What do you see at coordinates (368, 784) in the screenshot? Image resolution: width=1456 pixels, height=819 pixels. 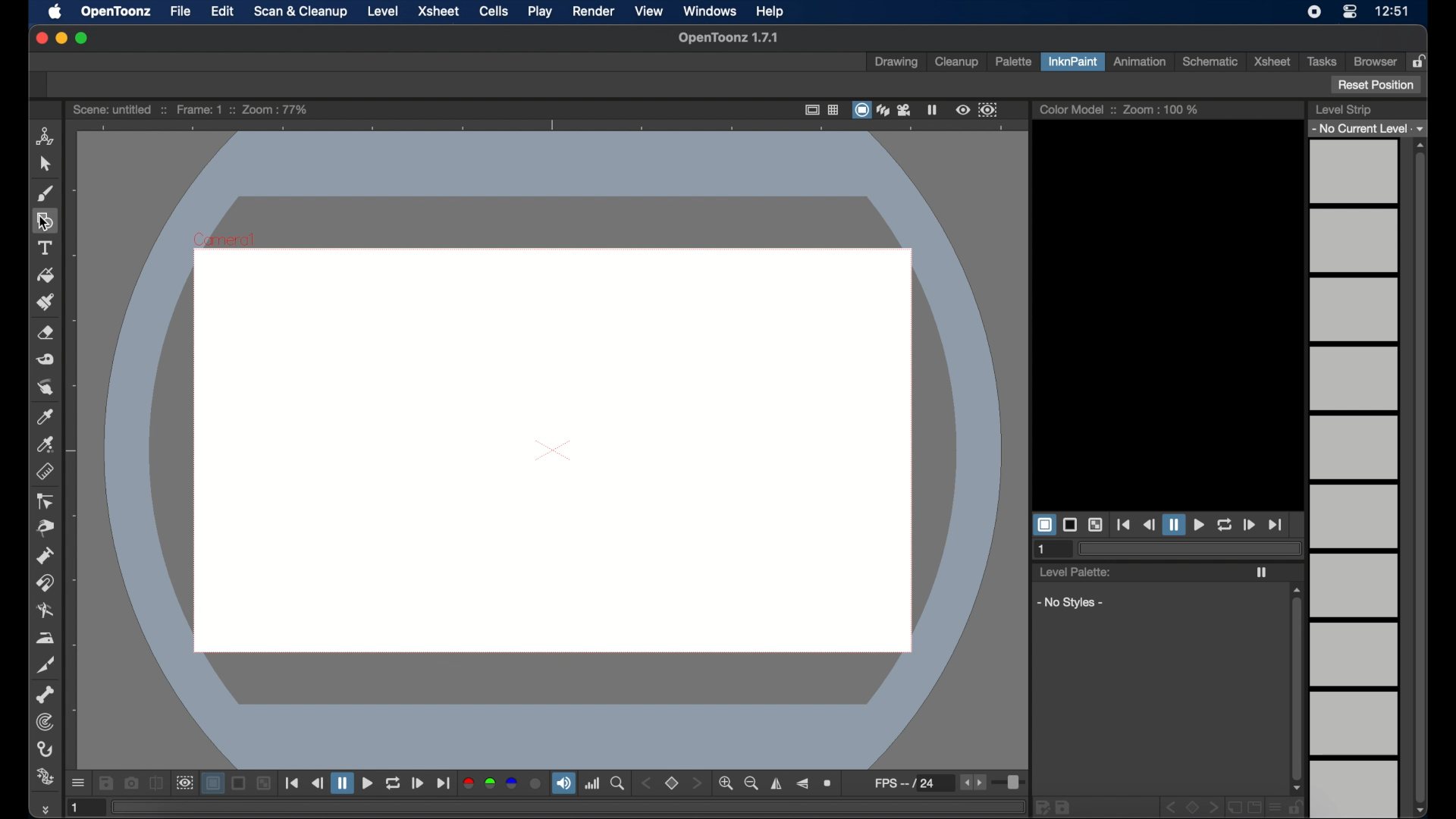 I see `play button` at bounding box center [368, 784].